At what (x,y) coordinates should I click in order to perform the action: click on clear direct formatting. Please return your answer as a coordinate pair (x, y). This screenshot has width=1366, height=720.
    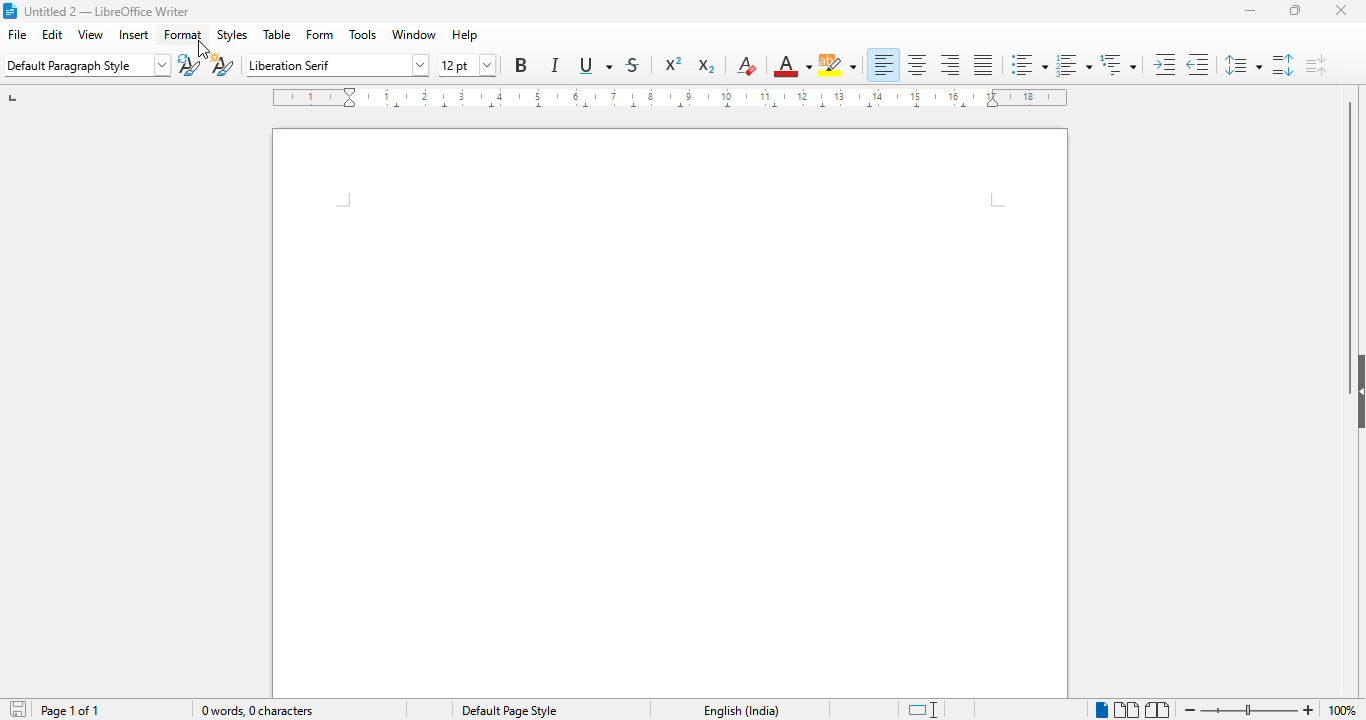
    Looking at the image, I should click on (747, 66).